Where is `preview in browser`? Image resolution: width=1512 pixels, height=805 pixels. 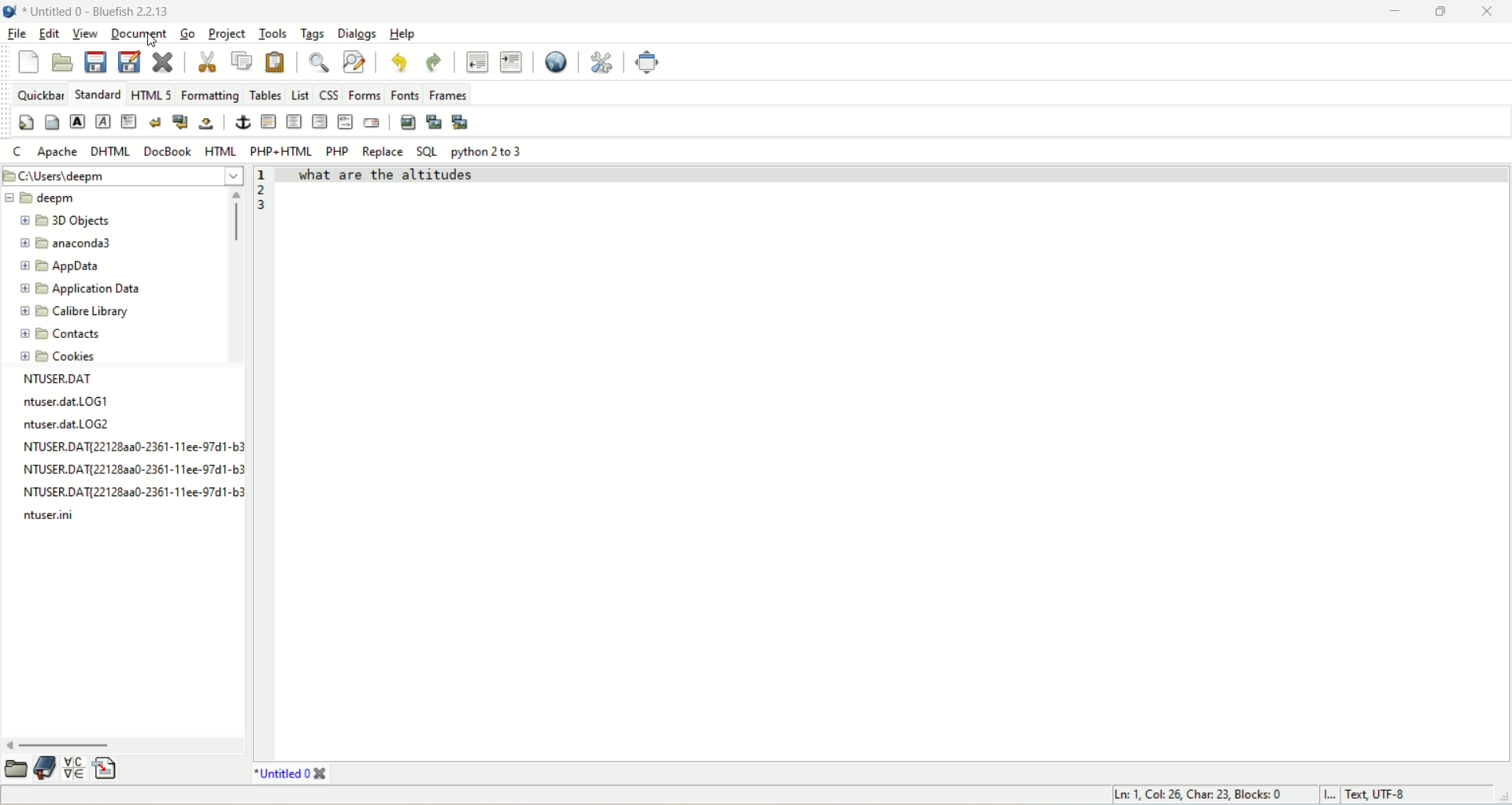 preview in browser is located at coordinates (556, 61).